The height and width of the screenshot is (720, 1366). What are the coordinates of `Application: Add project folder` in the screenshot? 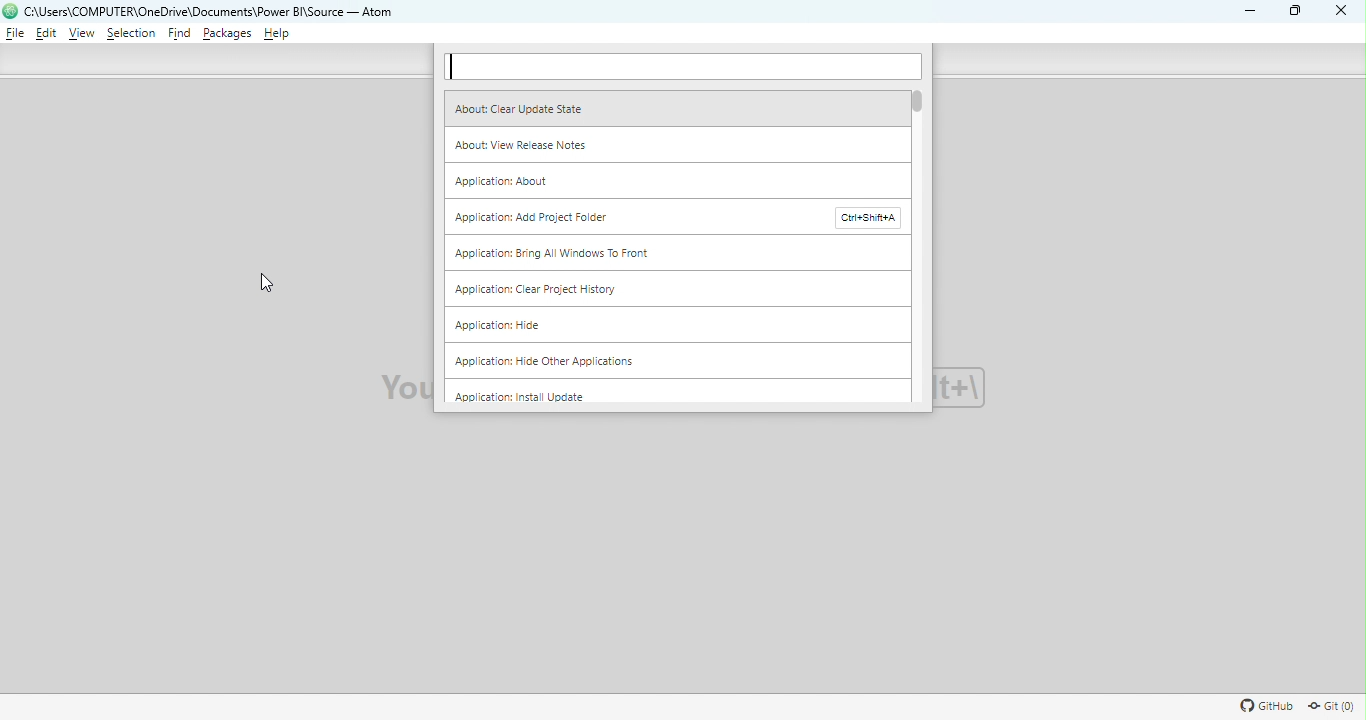 It's located at (681, 217).